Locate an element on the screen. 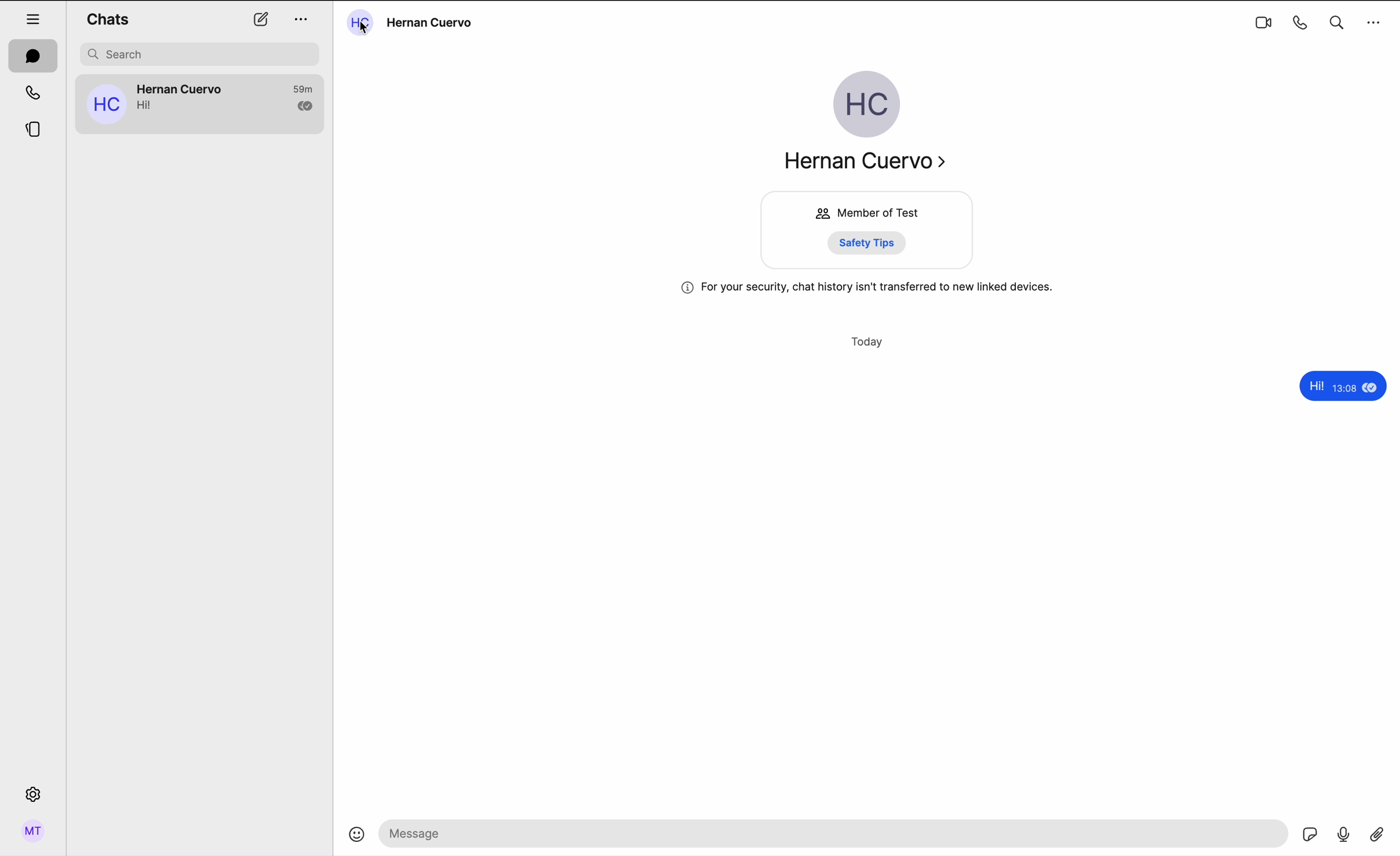  new chat is located at coordinates (261, 20).